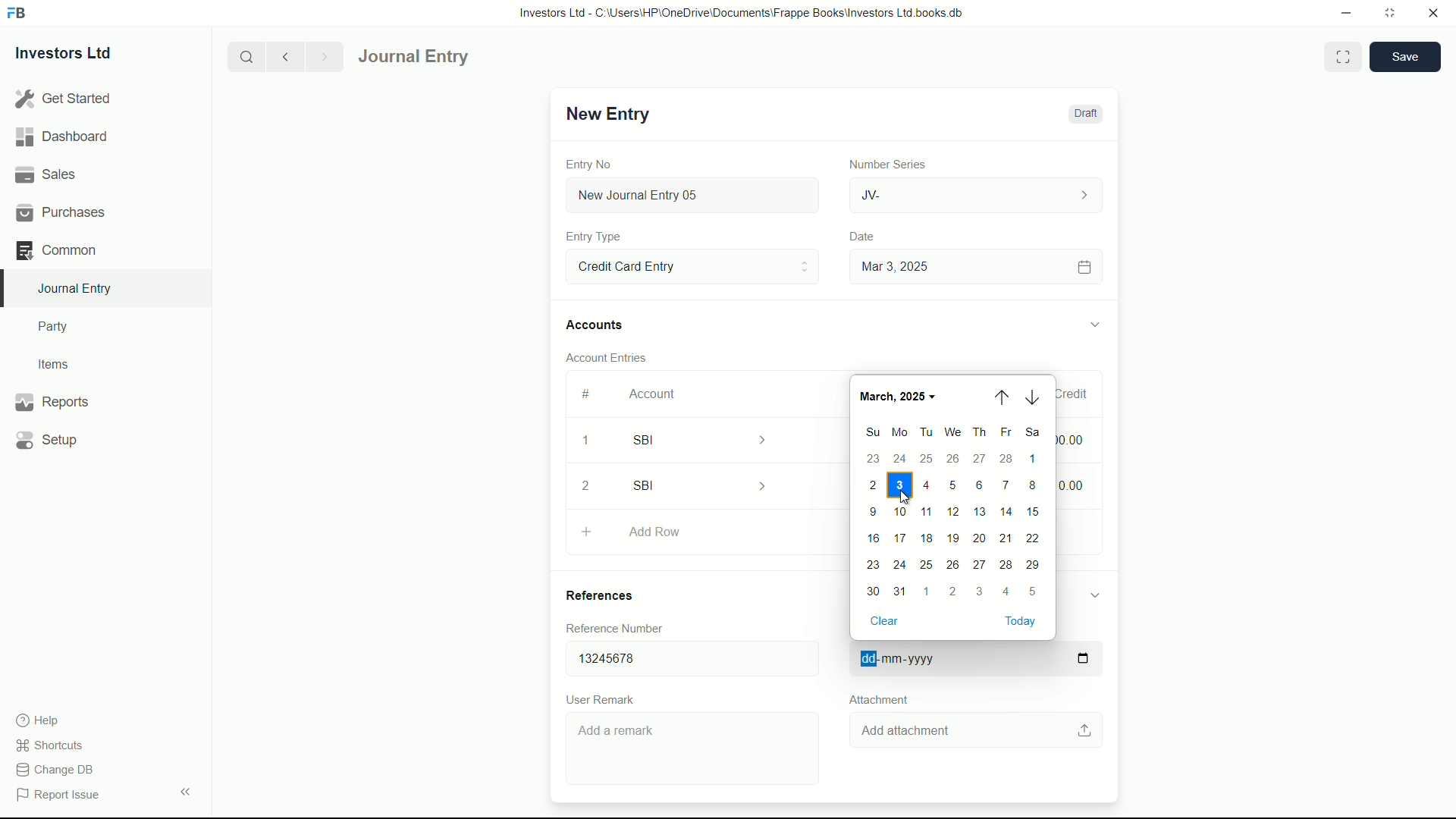  What do you see at coordinates (951, 526) in the screenshot?
I see `dates` at bounding box center [951, 526].